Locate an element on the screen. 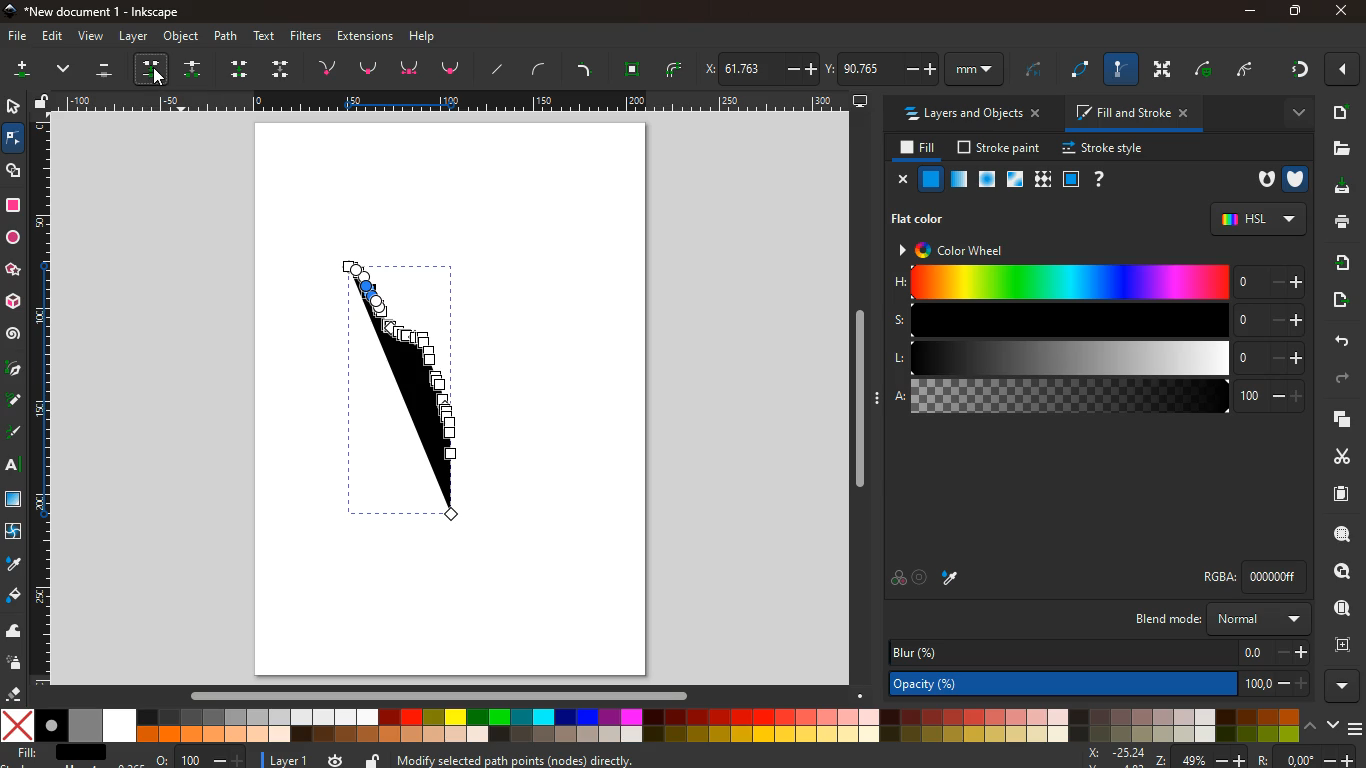  erase is located at coordinates (14, 694).